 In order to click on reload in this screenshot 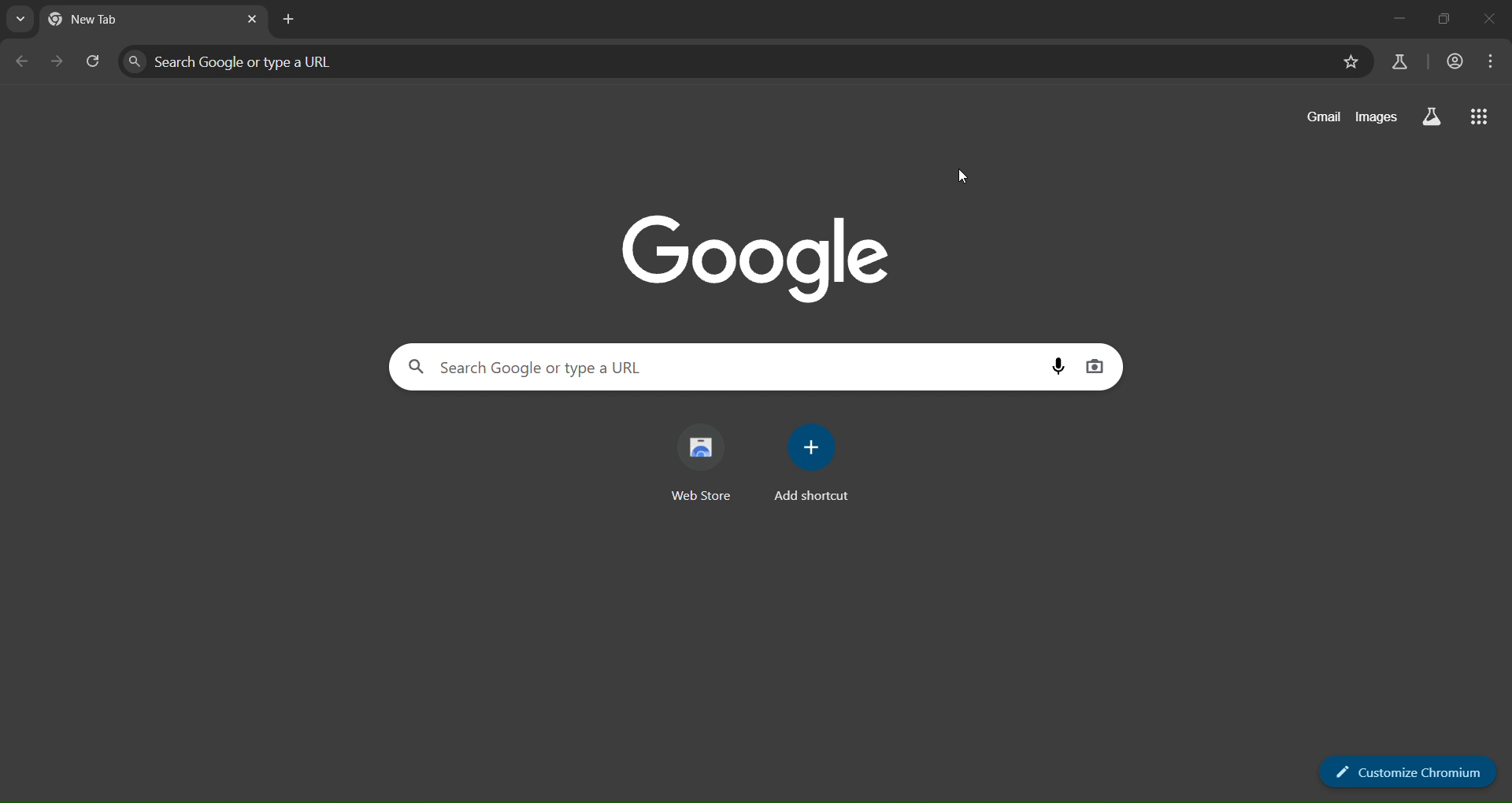, I will do `click(91, 59)`.